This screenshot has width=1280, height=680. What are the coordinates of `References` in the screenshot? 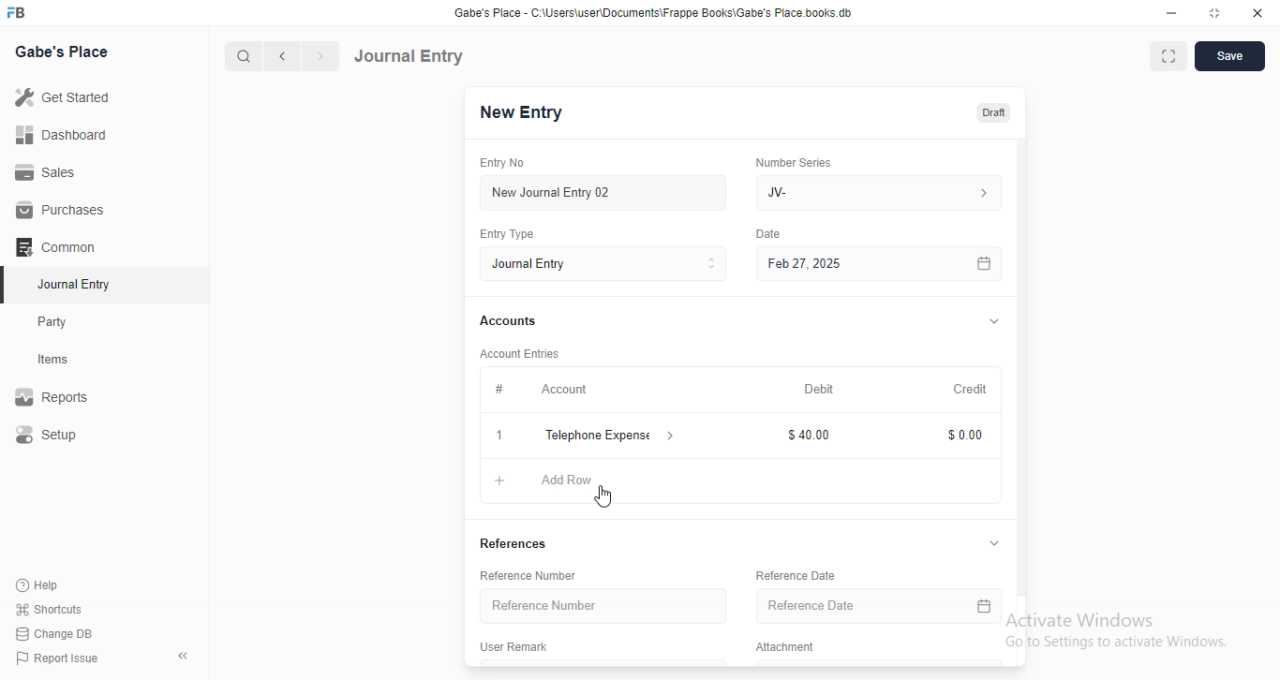 It's located at (521, 544).